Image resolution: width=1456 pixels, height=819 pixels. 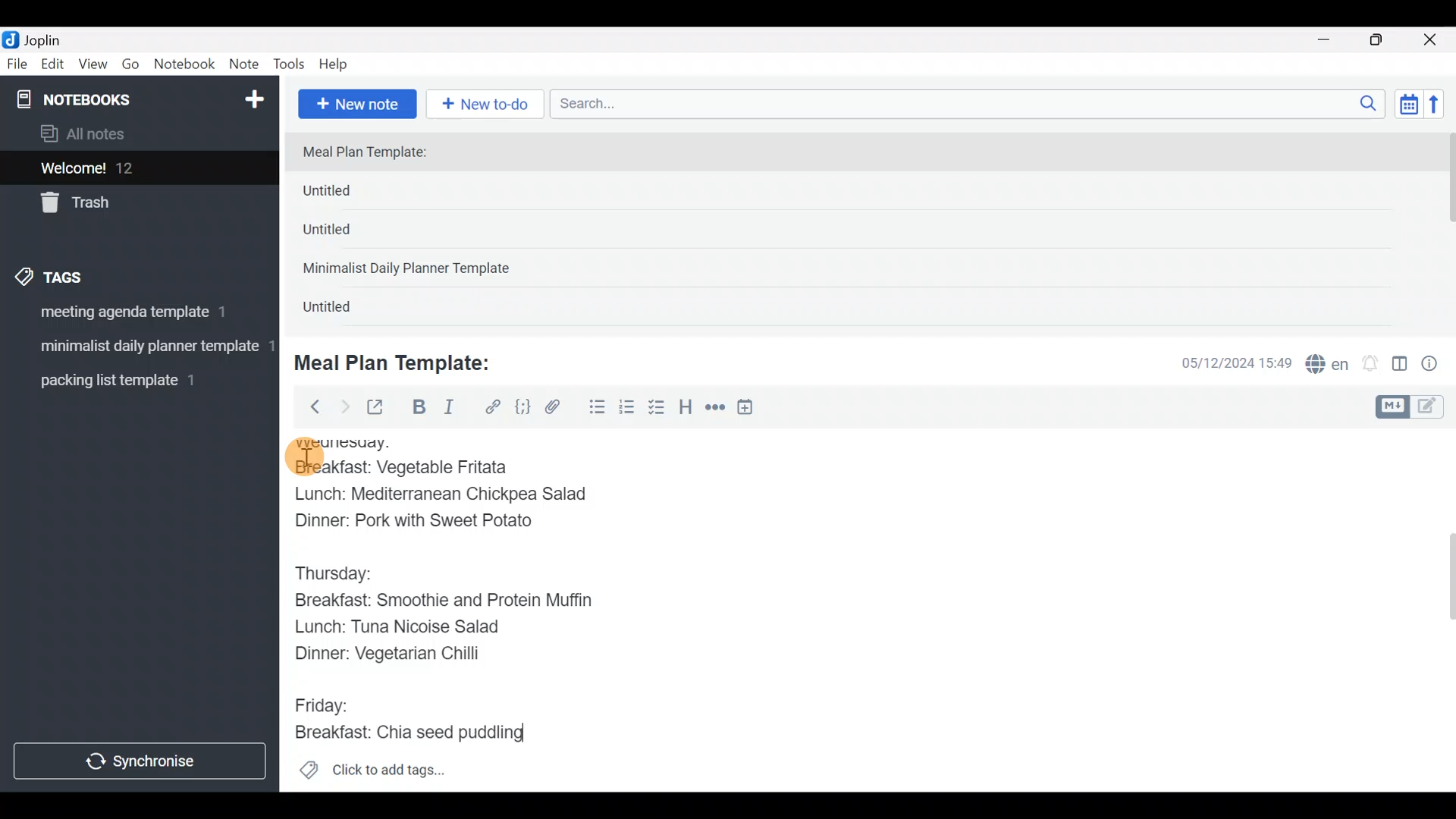 I want to click on Attach file, so click(x=557, y=409).